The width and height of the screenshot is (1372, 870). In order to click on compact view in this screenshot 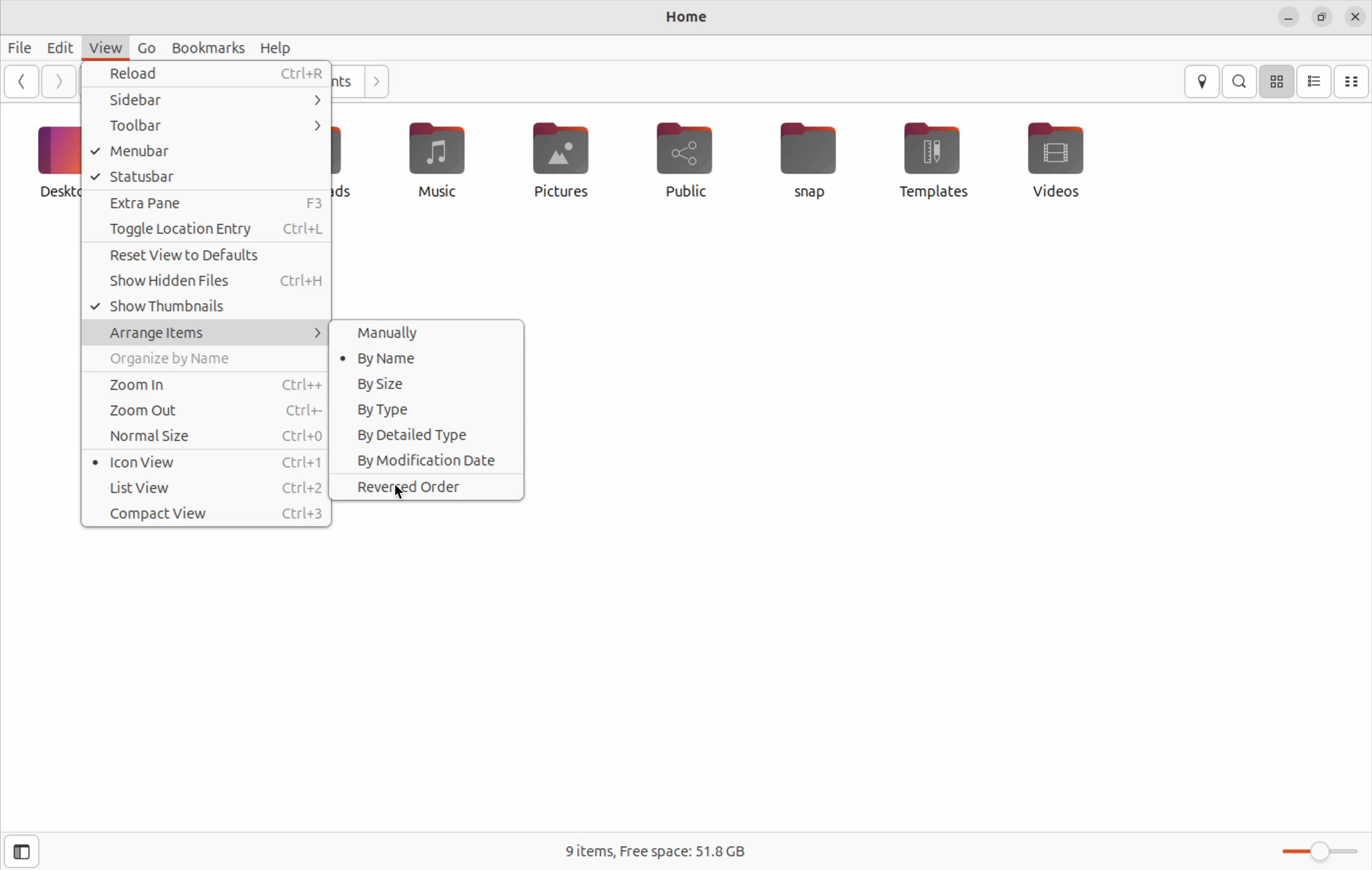, I will do `click(1353, 81)`.